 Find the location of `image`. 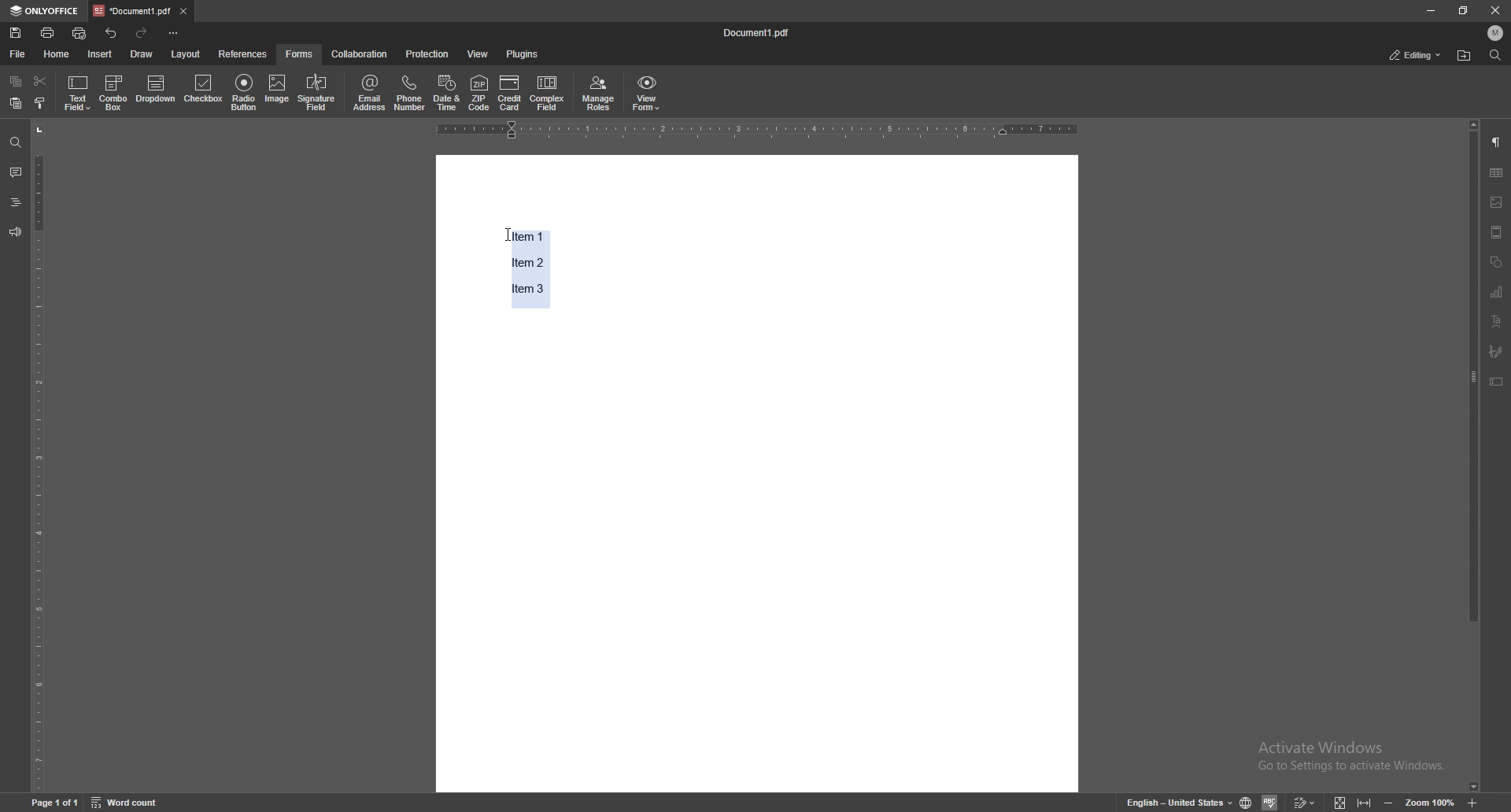

image is located at coordinates (278, 91).